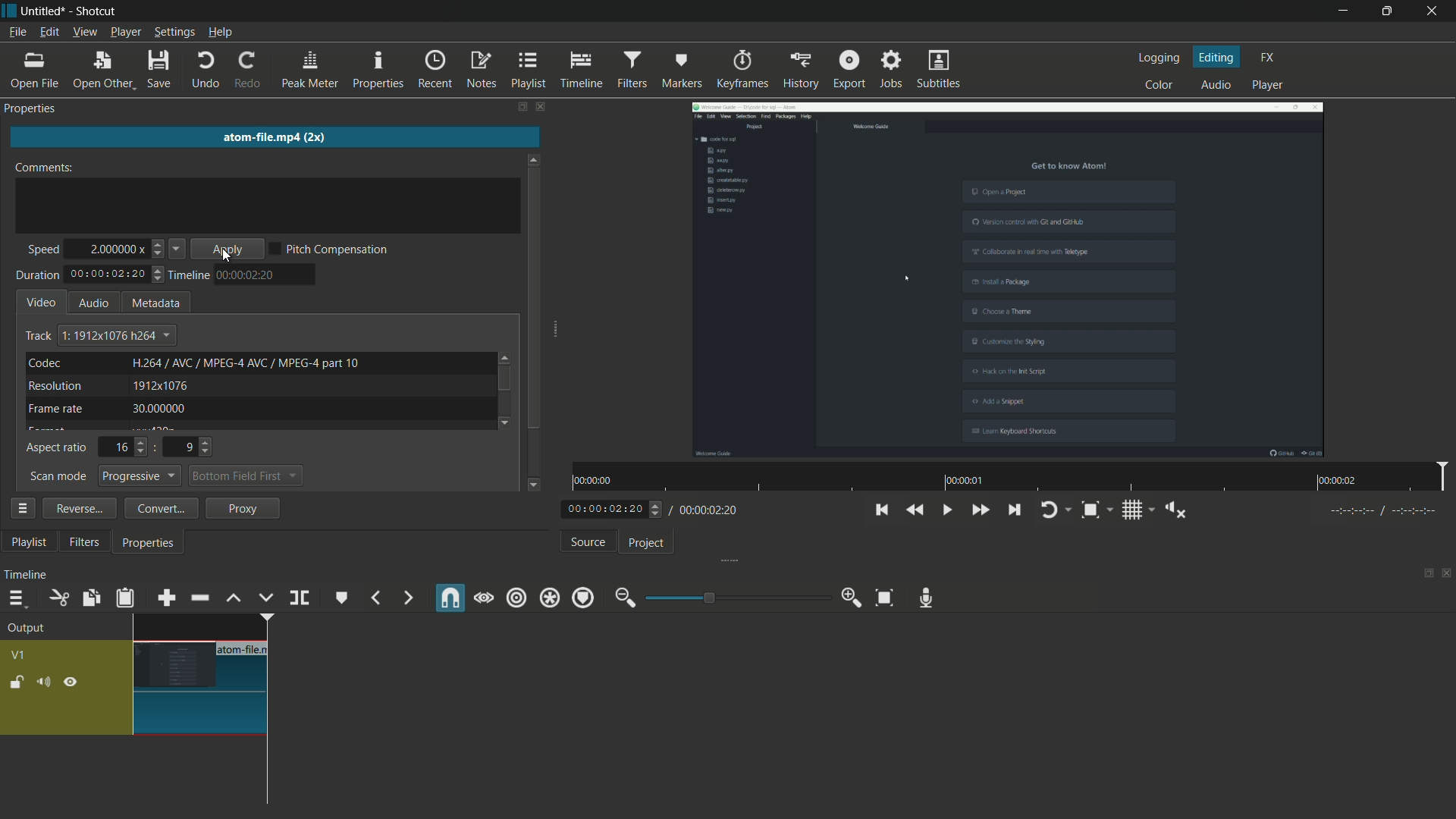 The image size is (1456, 819). I want to click on logging, so click(1159, 58).